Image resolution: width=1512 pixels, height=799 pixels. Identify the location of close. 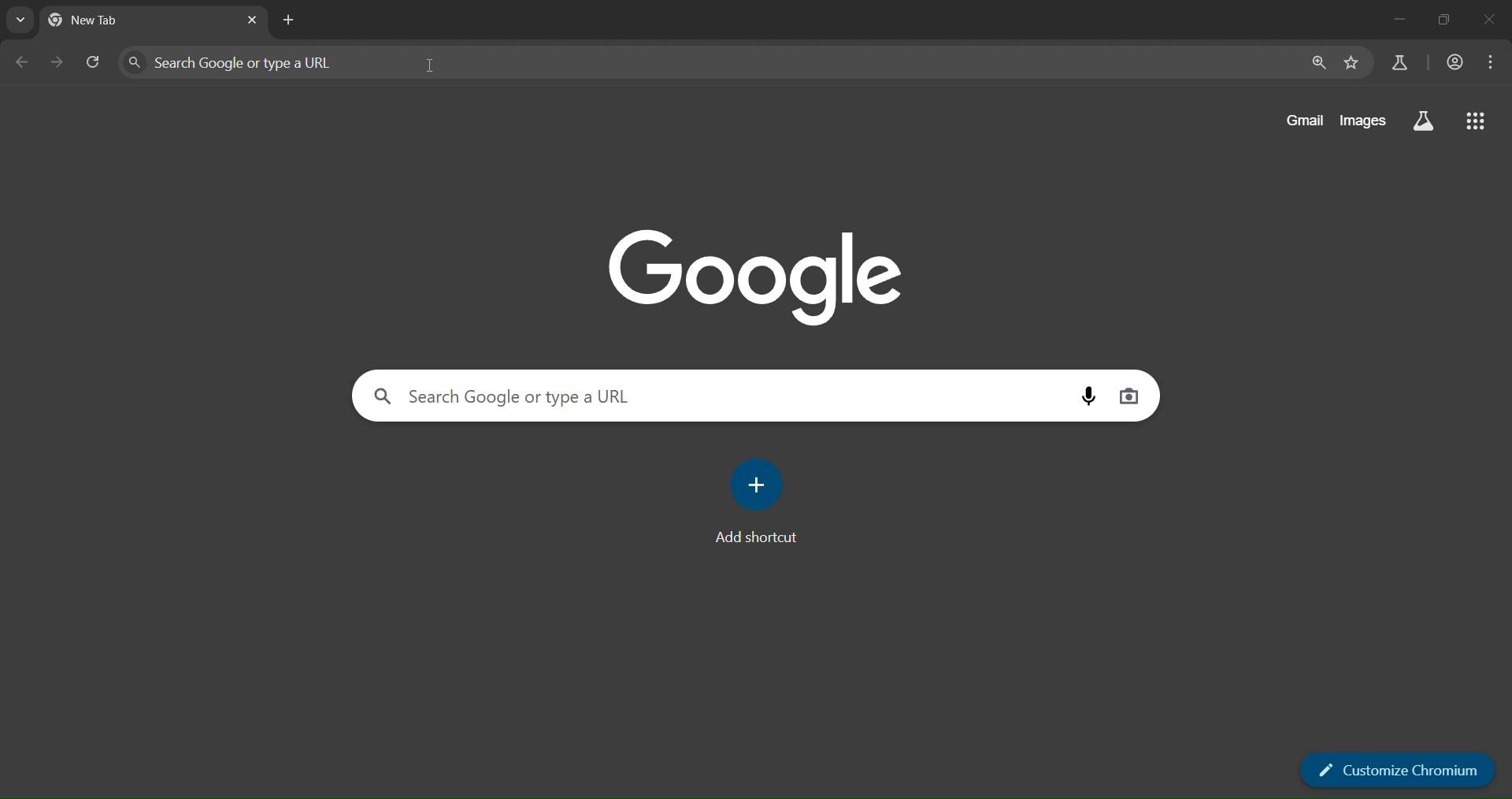
(1489, 20).